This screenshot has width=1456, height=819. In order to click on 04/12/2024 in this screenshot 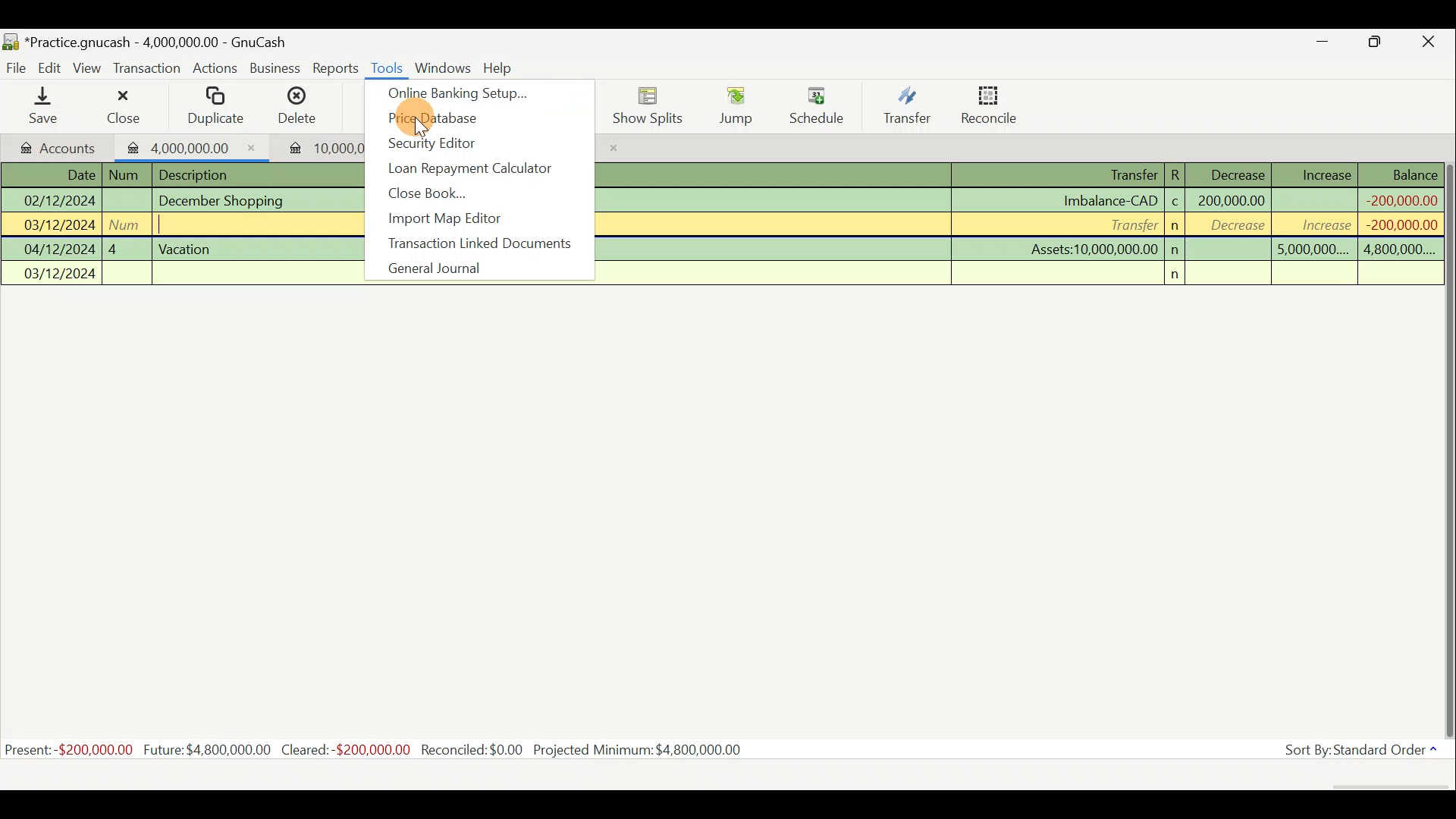, I will do `click(60, 249)`.